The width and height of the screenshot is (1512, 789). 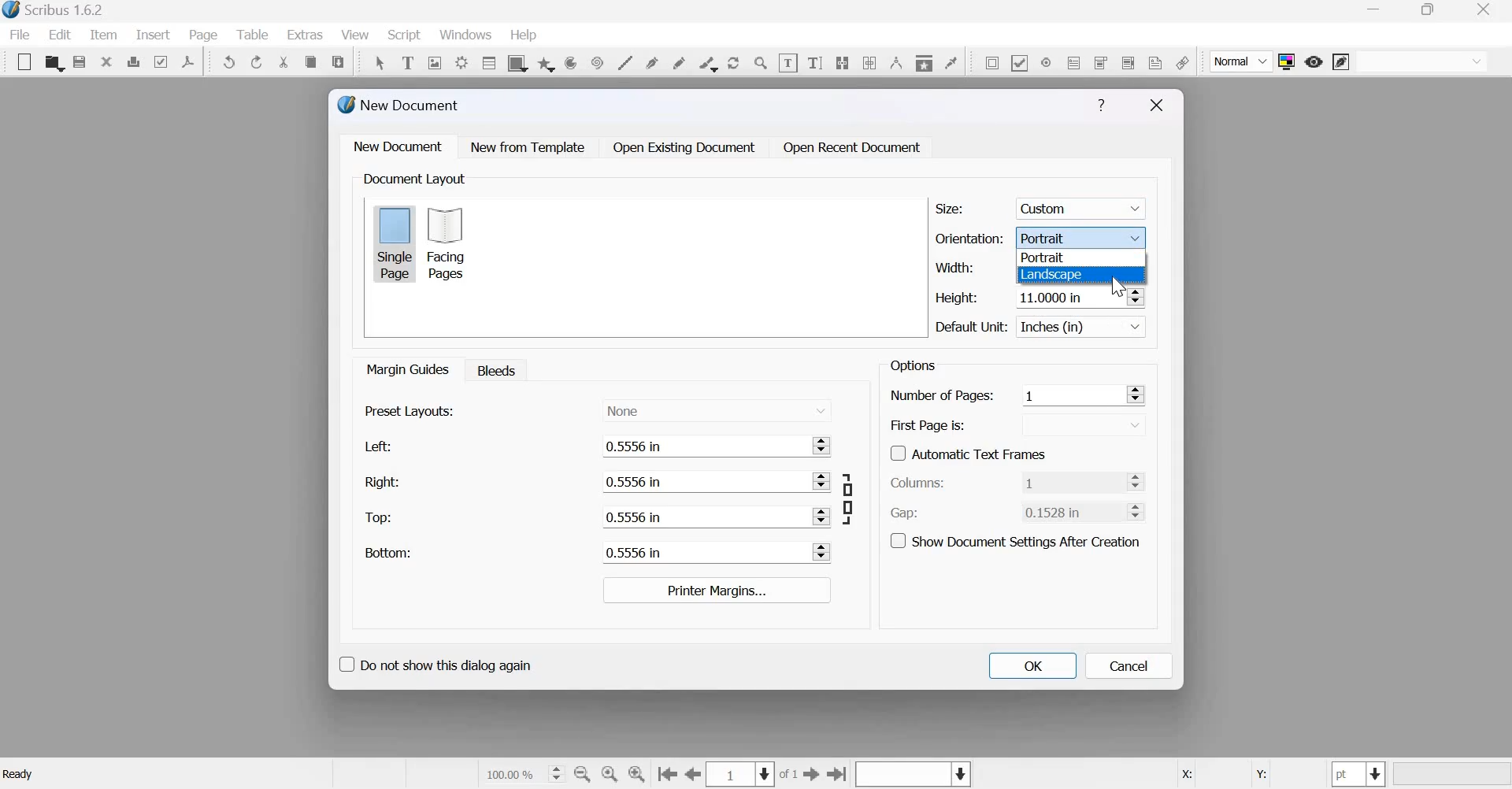 What do you see at coordinates (1045, 61) in the screenshot?
I see `PDF radio button` at bounding box center [1045, 61].